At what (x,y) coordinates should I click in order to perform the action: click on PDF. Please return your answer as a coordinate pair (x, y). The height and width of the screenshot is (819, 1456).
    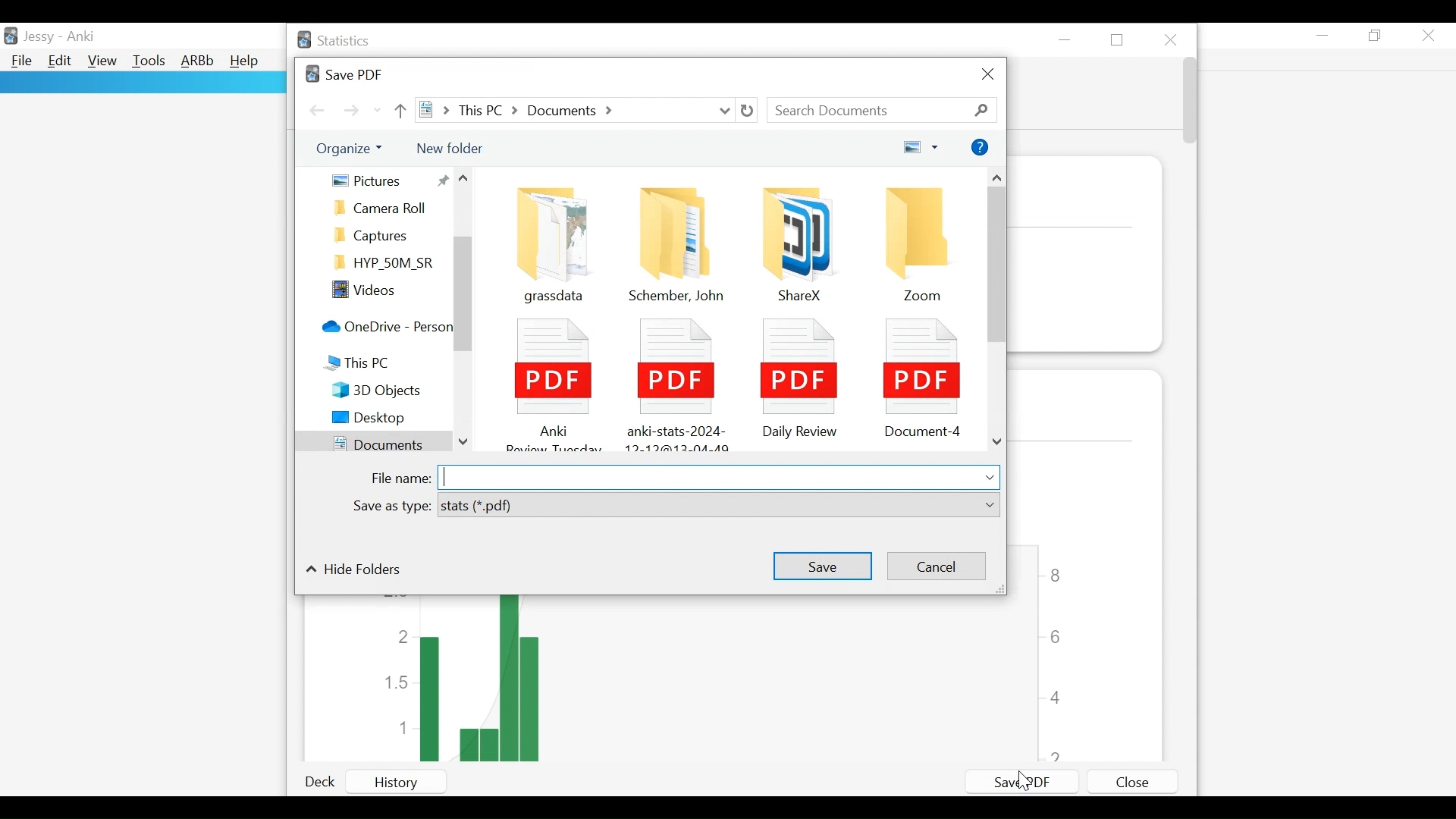
    Looking at the image, I should click on (673, 380).